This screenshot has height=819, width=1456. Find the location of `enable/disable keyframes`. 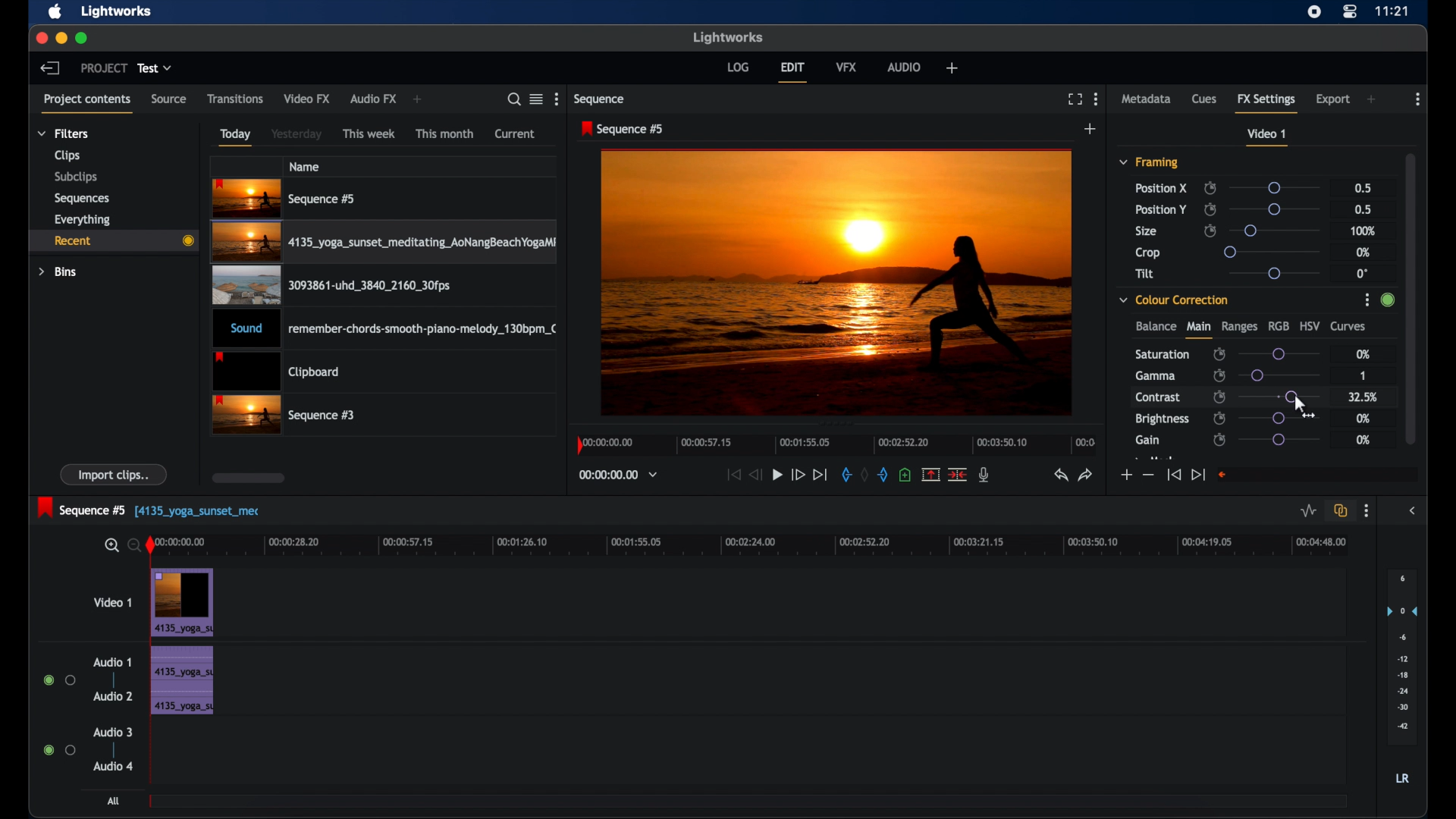

enable/disable keyframes is located at coordinates (1210, 230).